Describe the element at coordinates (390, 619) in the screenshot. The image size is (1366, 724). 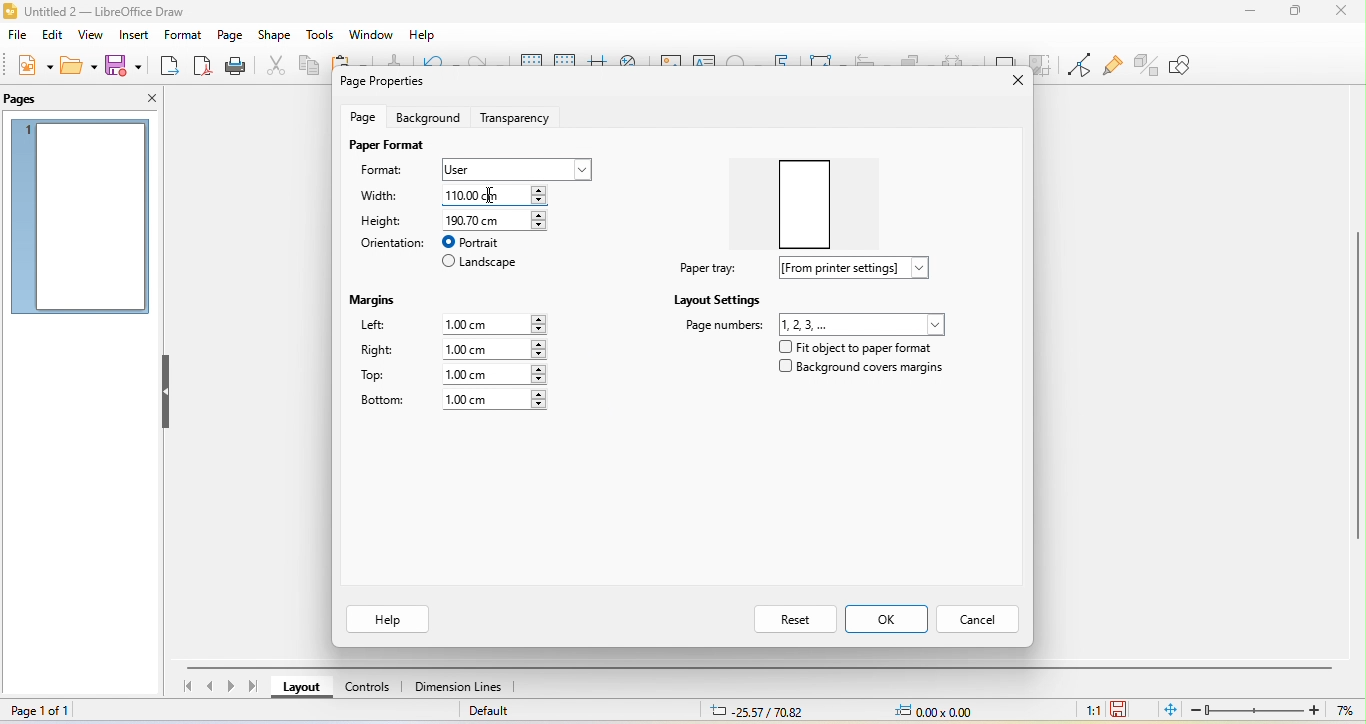
I see `help` at that location.